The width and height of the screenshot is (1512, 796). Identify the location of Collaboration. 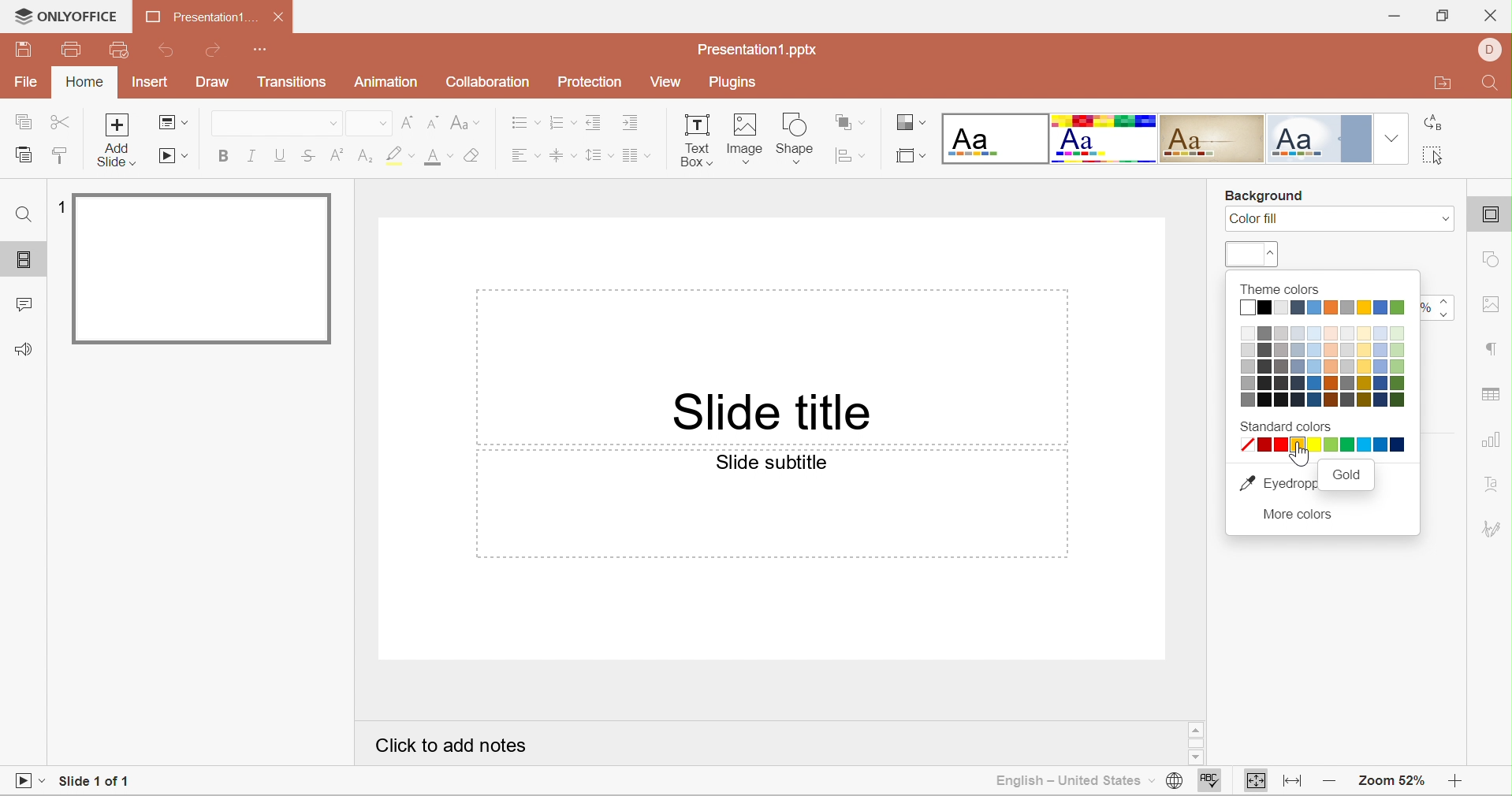
(487, 82).